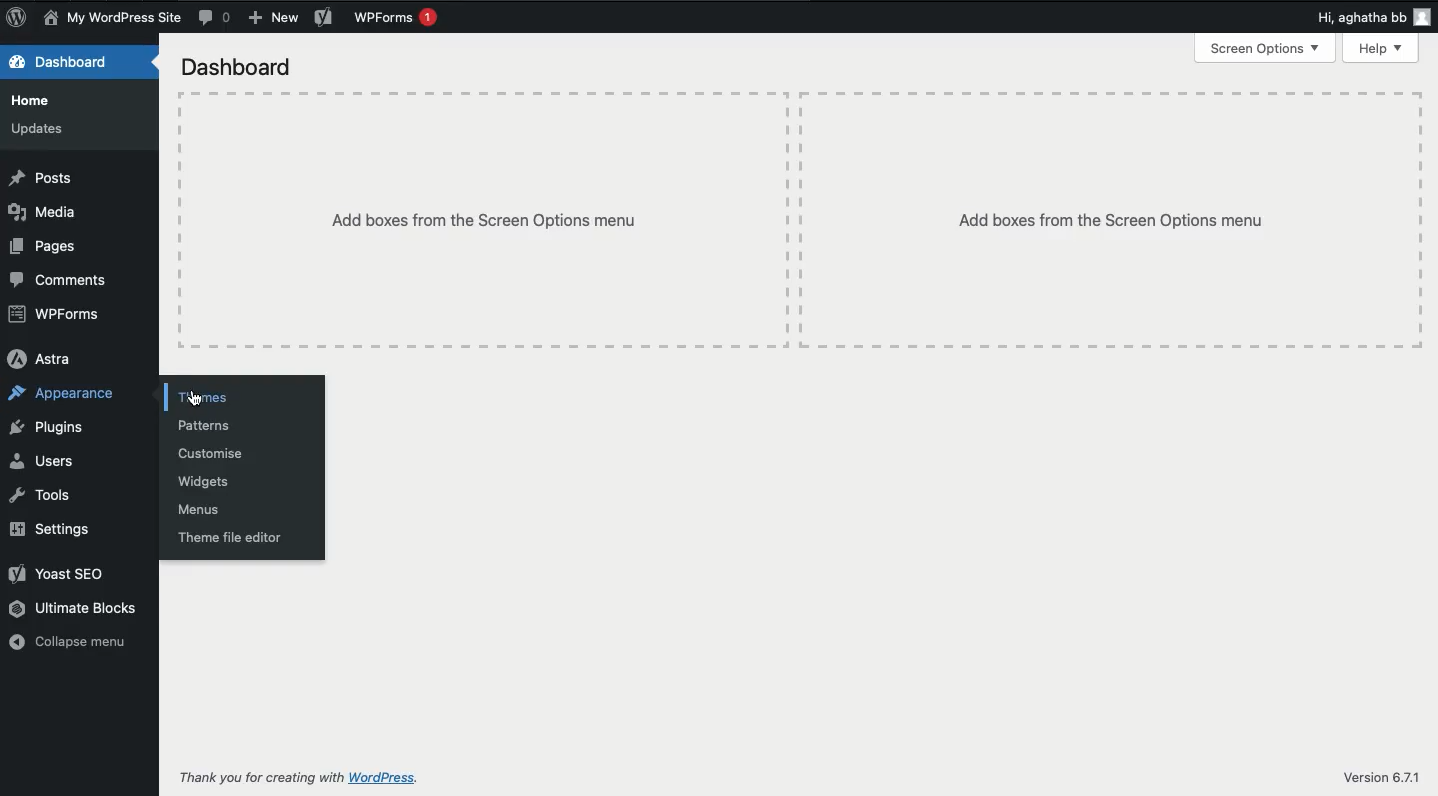  What do you see at coordinates (62, 279) in the screenshot?
I see `Comments` at bounding box center [62, 279].